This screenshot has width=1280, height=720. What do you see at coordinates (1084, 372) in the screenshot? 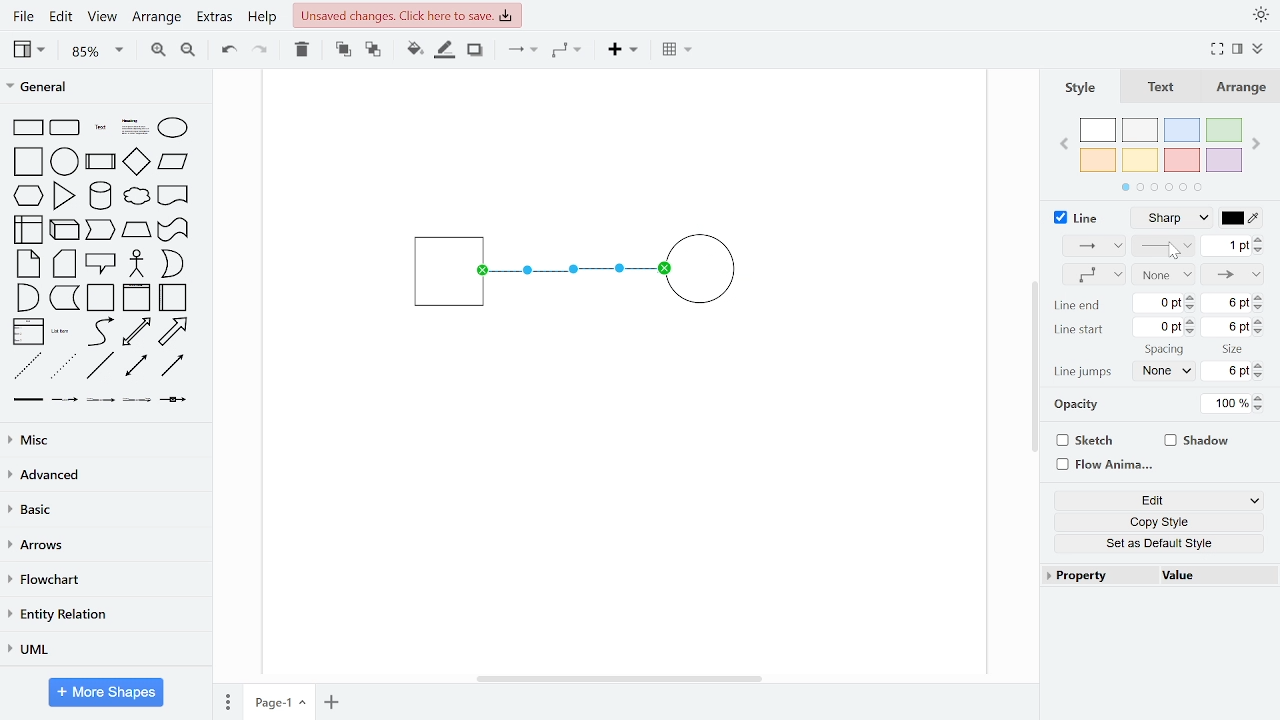
I see `line jumps` at bounding box center [1084, 372].